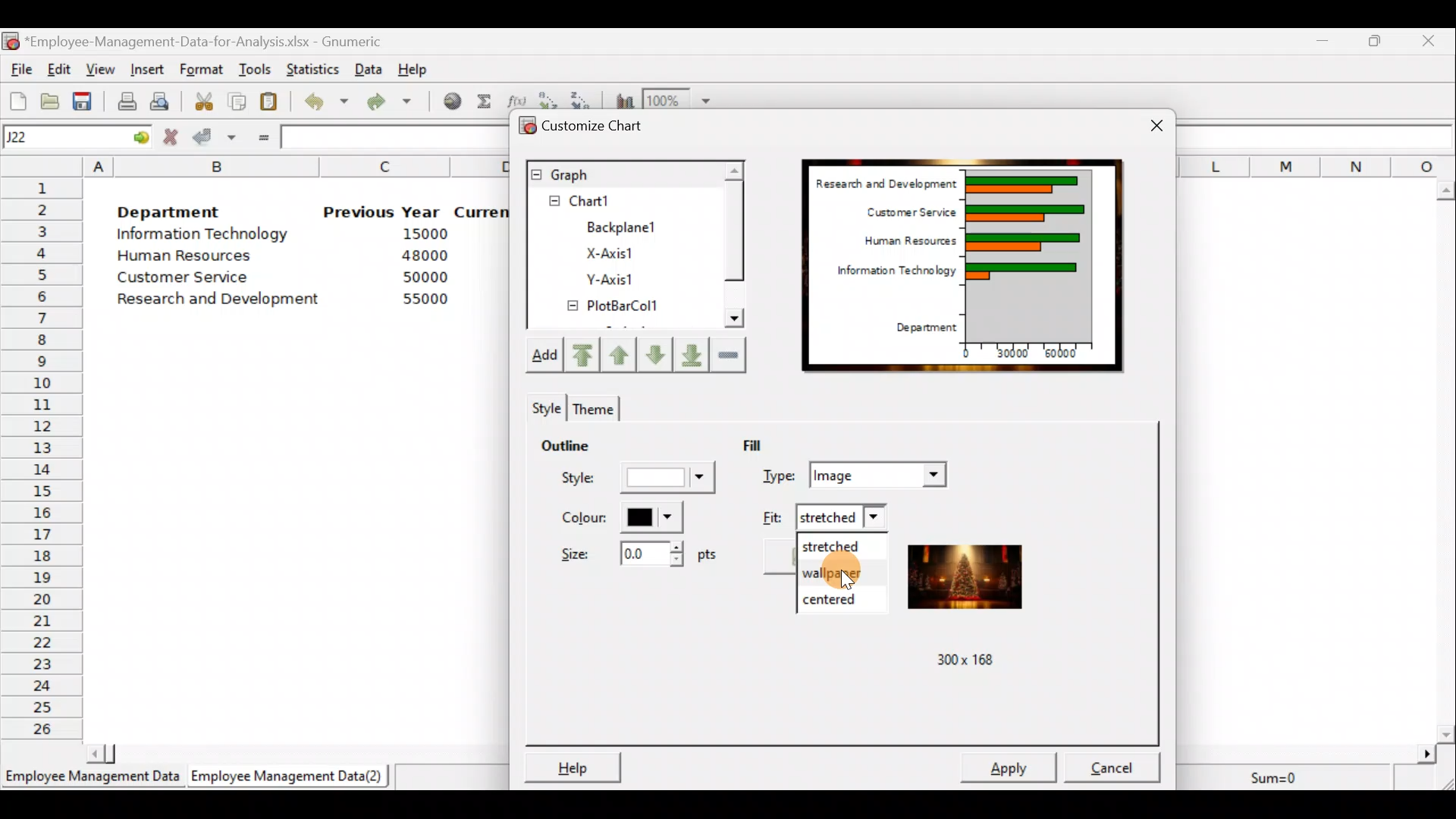  I want to click on Add, so click(549, 356).